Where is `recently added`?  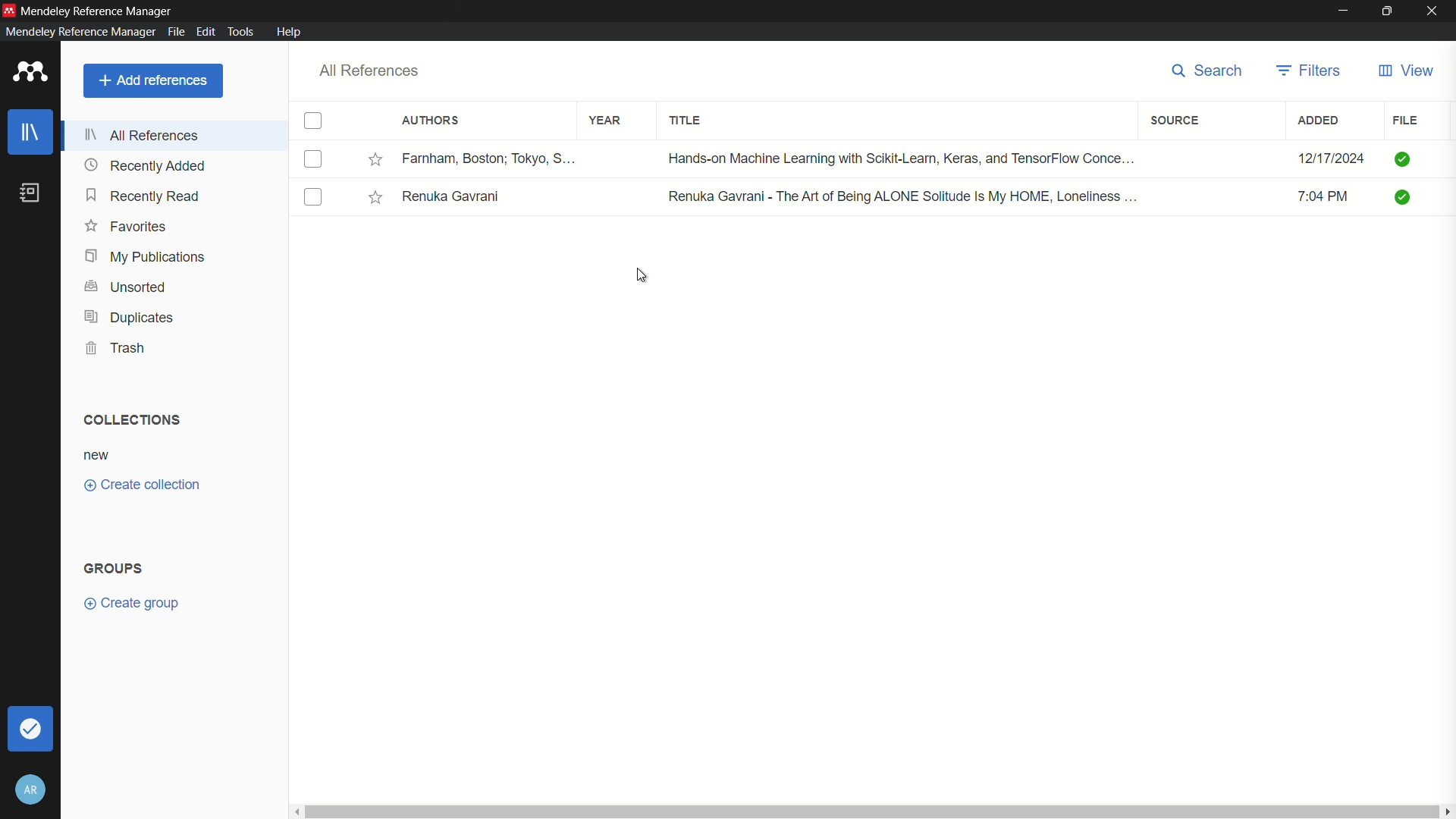 recently added is located at coordinates (143, 196).